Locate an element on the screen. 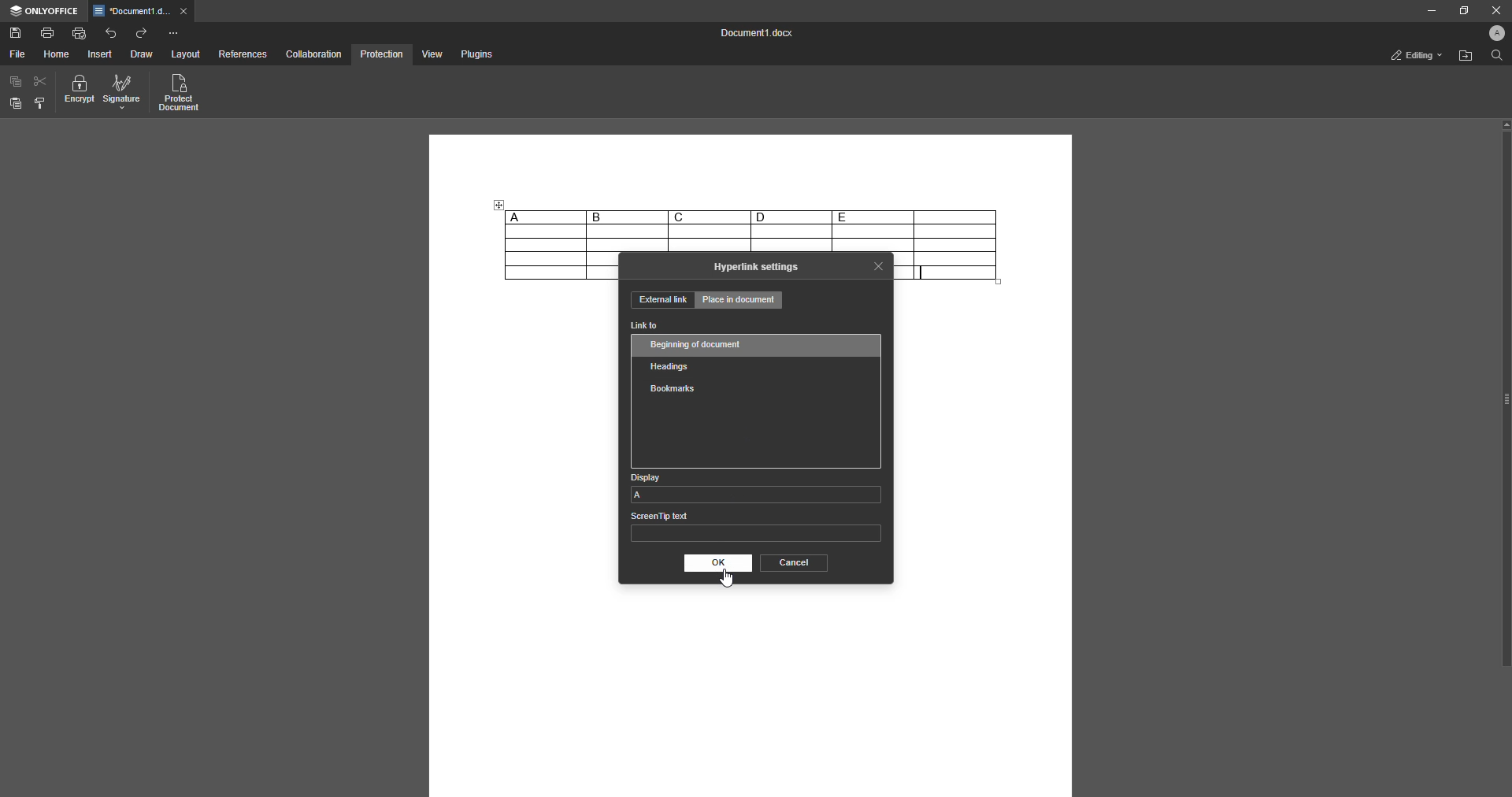 The image size is (1512, 797). Tab 1 is located at coordinates (143, 12).